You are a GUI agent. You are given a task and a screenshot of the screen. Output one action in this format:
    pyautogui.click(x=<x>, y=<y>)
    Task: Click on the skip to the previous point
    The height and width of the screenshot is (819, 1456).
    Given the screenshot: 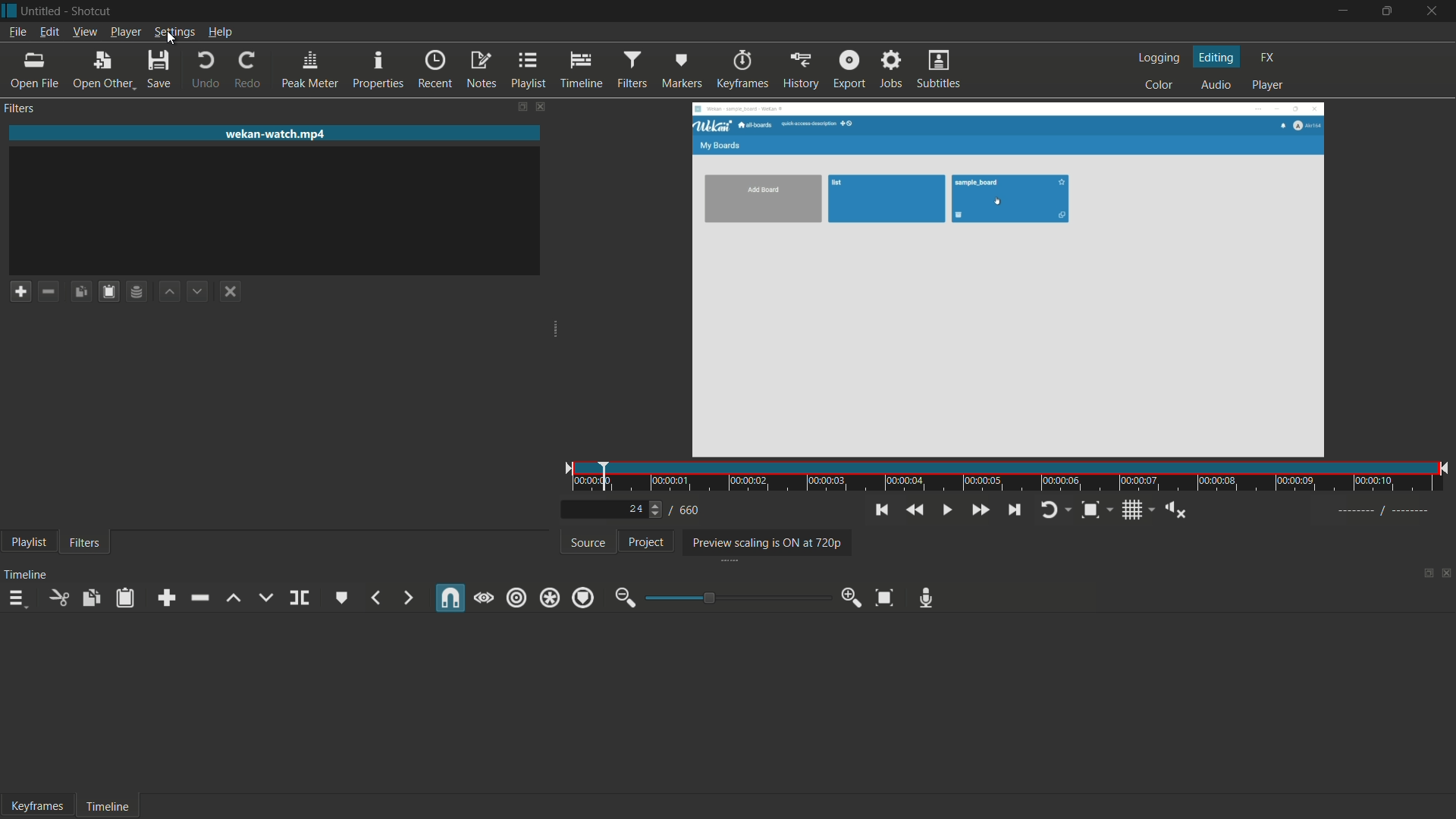 What is the action you would take?
    pyautogui.click(x=882, y=510)
    